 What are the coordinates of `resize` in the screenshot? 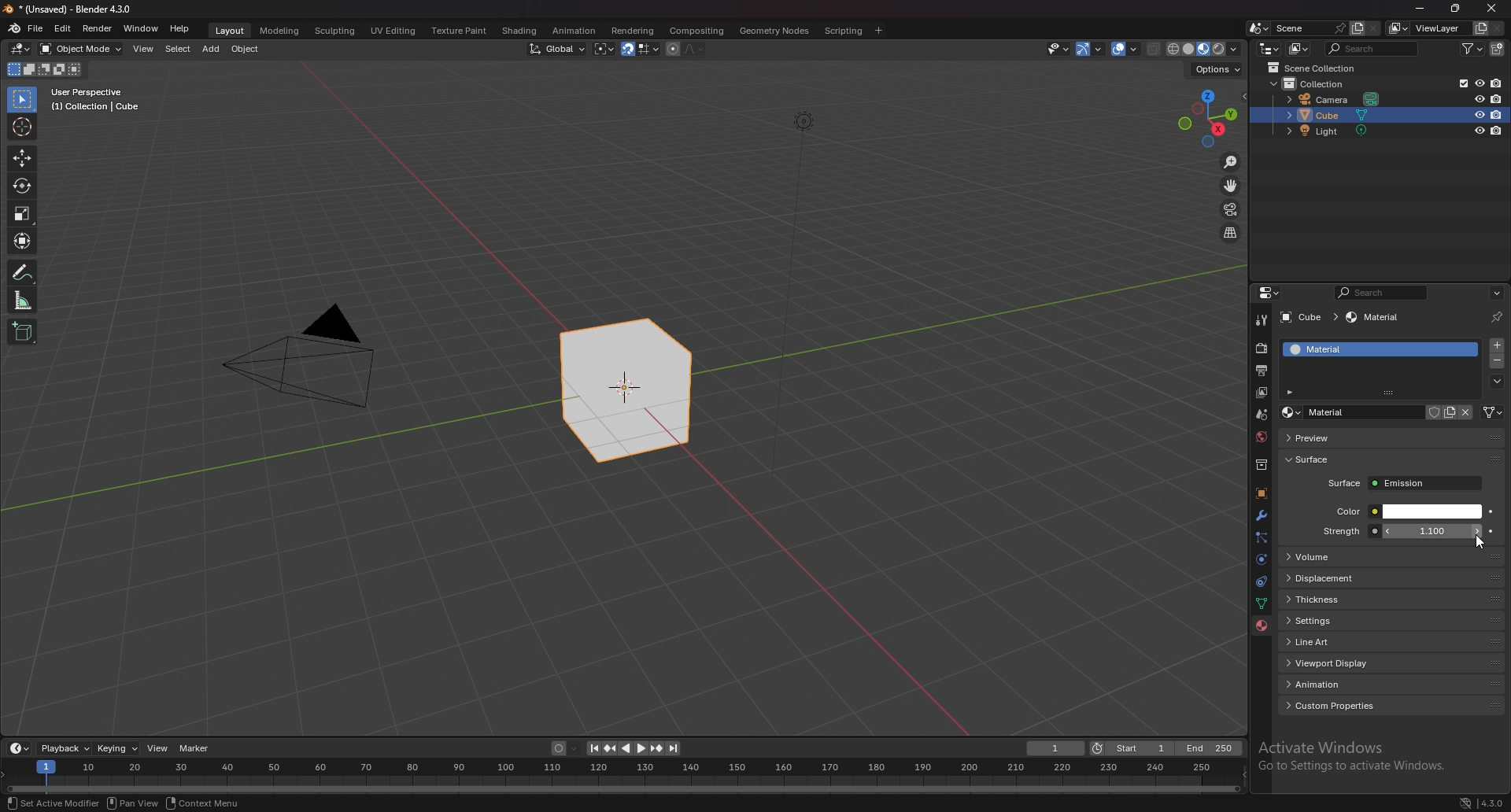 It's located at (1455, 9).